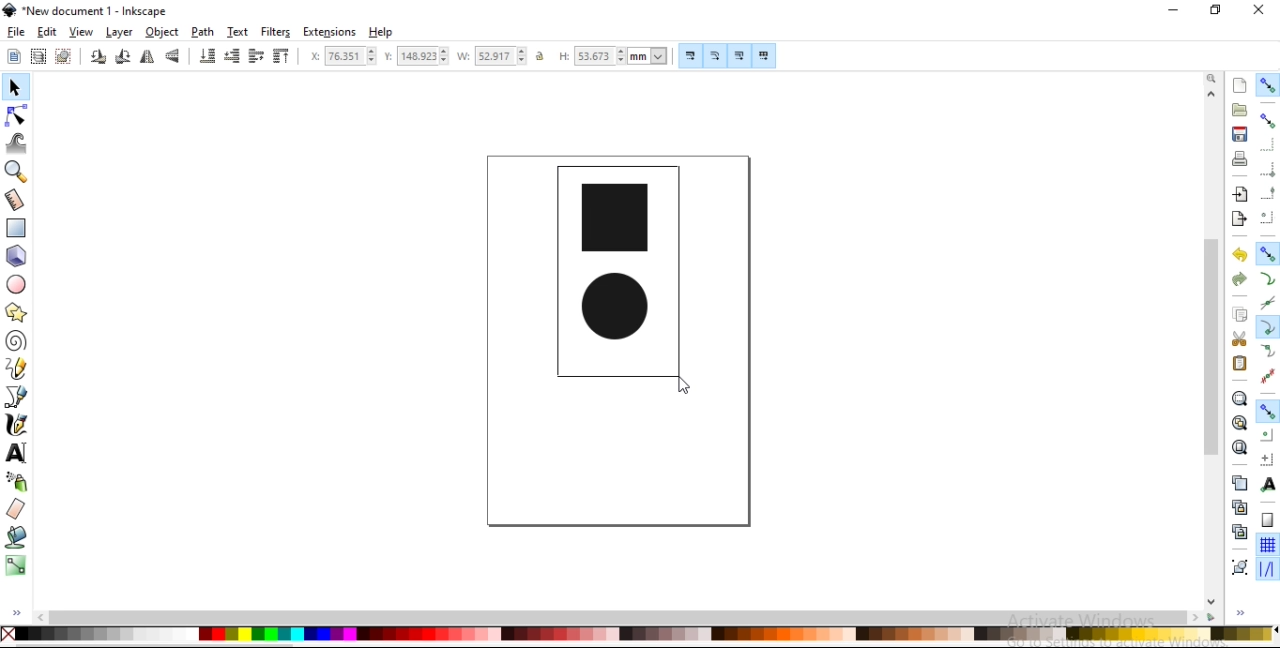  I want to click on erase existing paths, so click(17, 510).